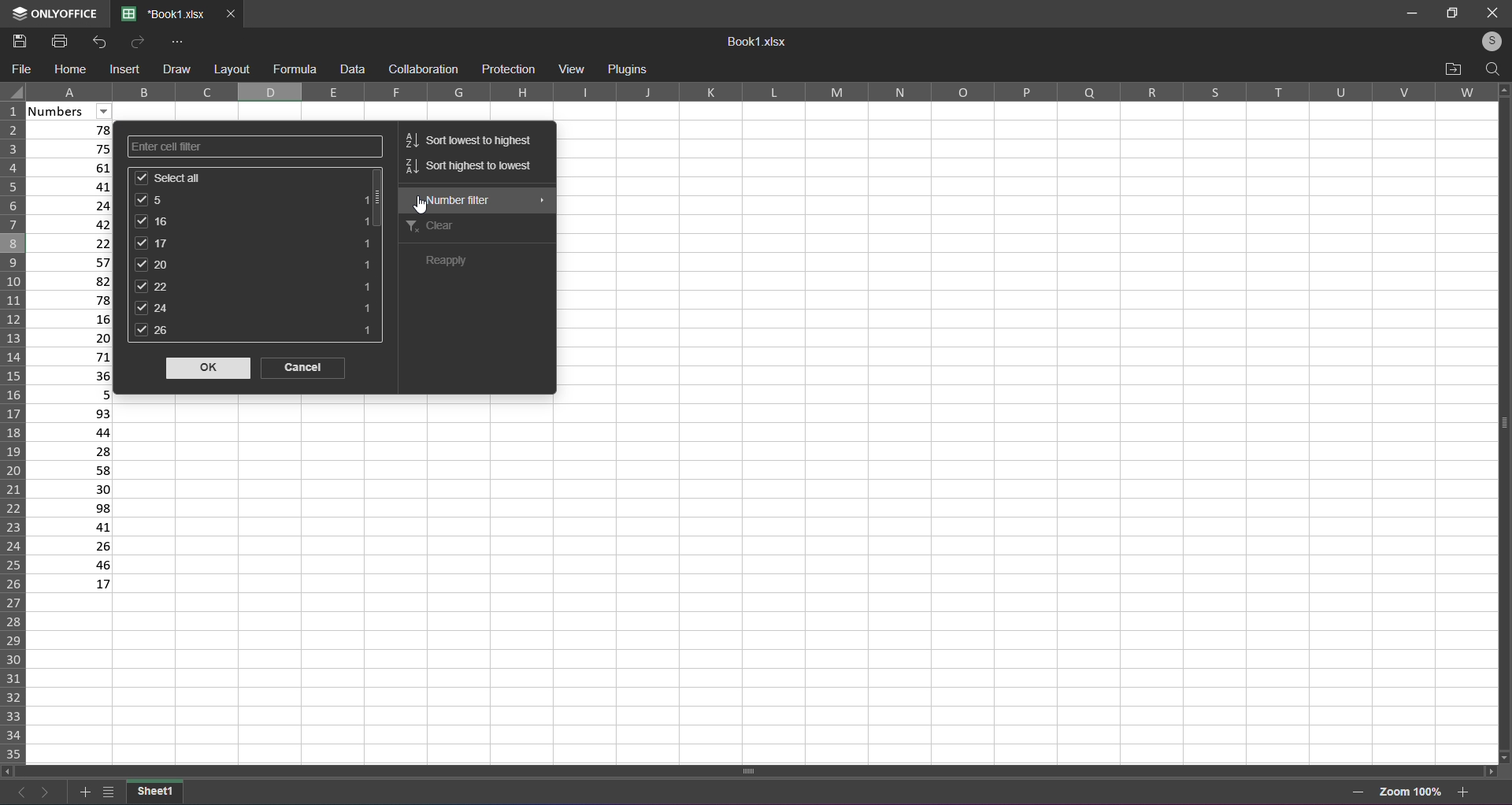  What do you see at coordinates (70, 526) in the screenshot?
I see `41` at bounding box center [70, 526].